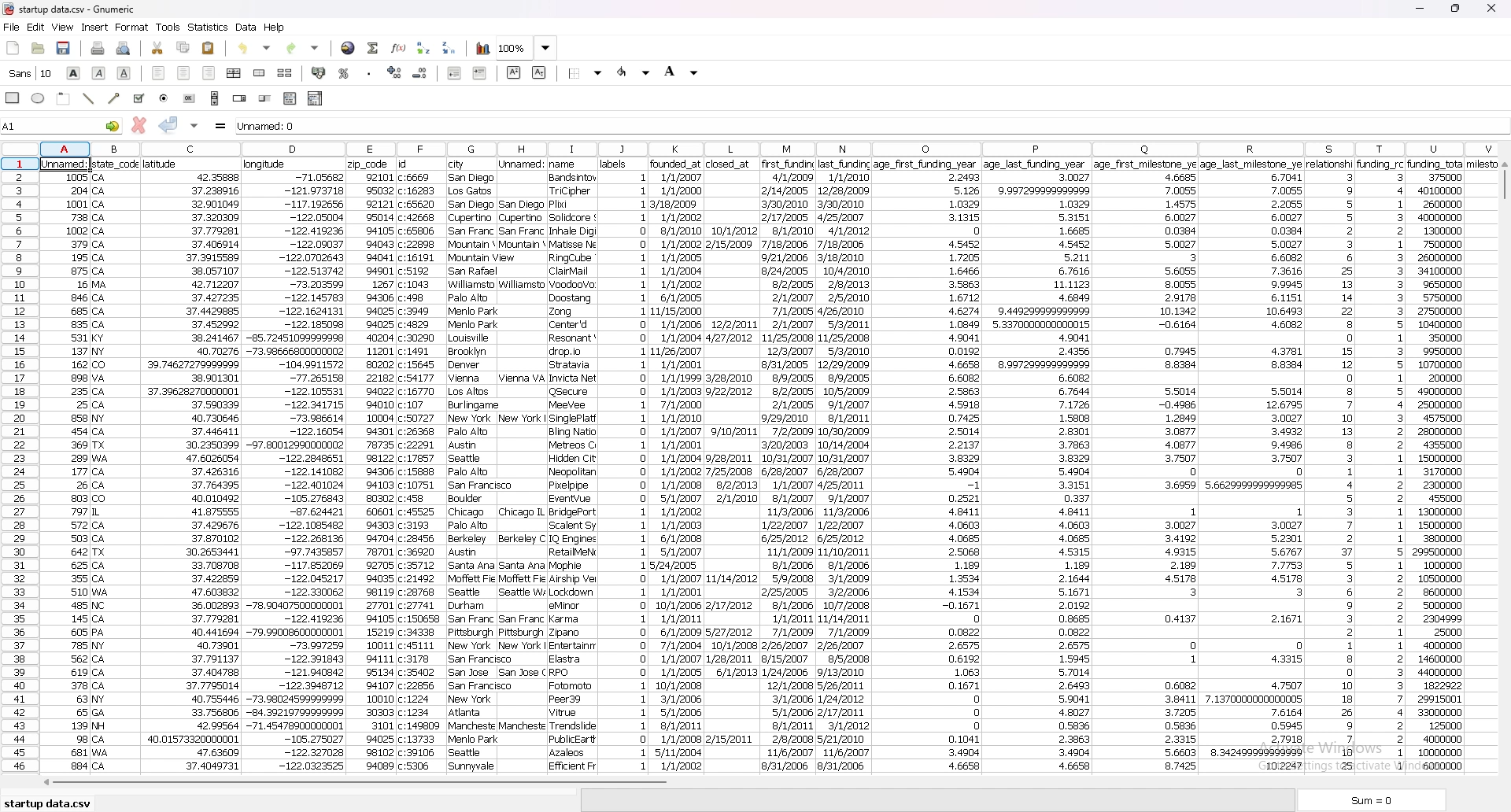 The height and width of the screenshot is (812, 1511). Describe the element at coordinates (1454, 8) in the screenshot. I see `resize` at that location.